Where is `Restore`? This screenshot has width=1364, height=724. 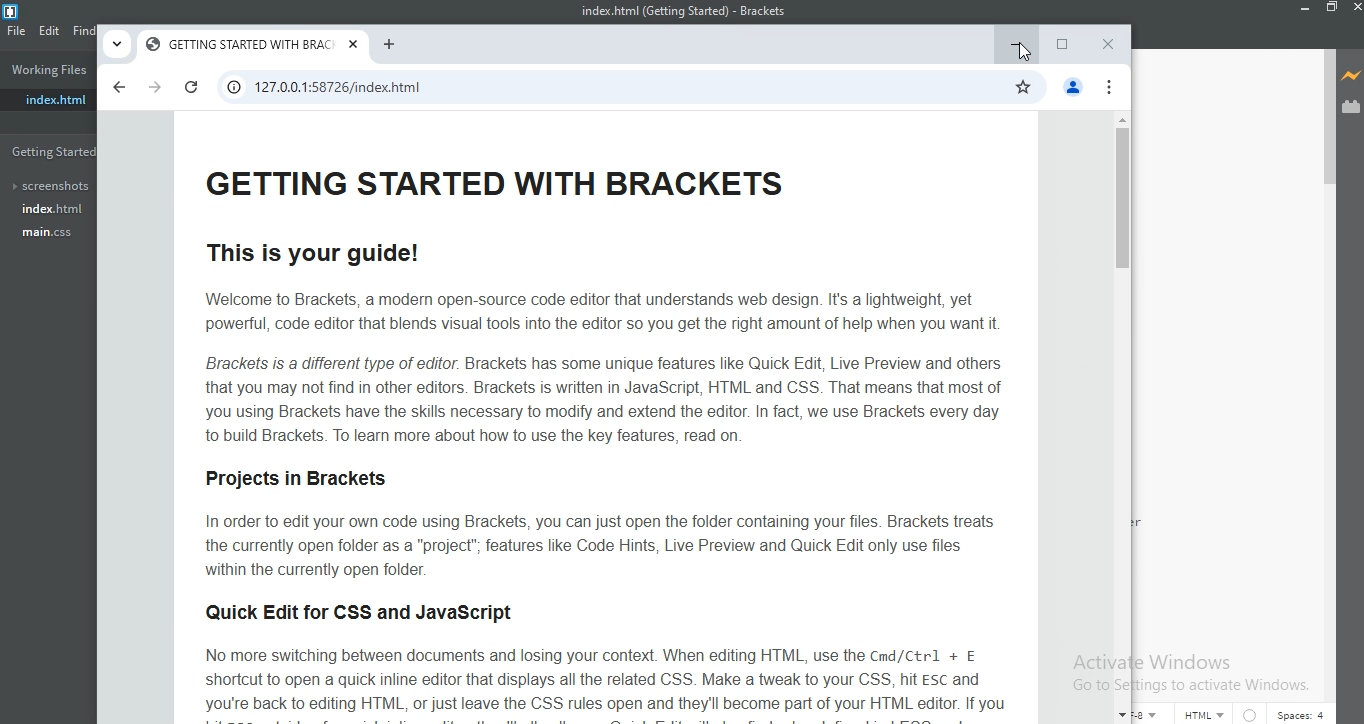 Restore is located at coordinates (1062, 47).